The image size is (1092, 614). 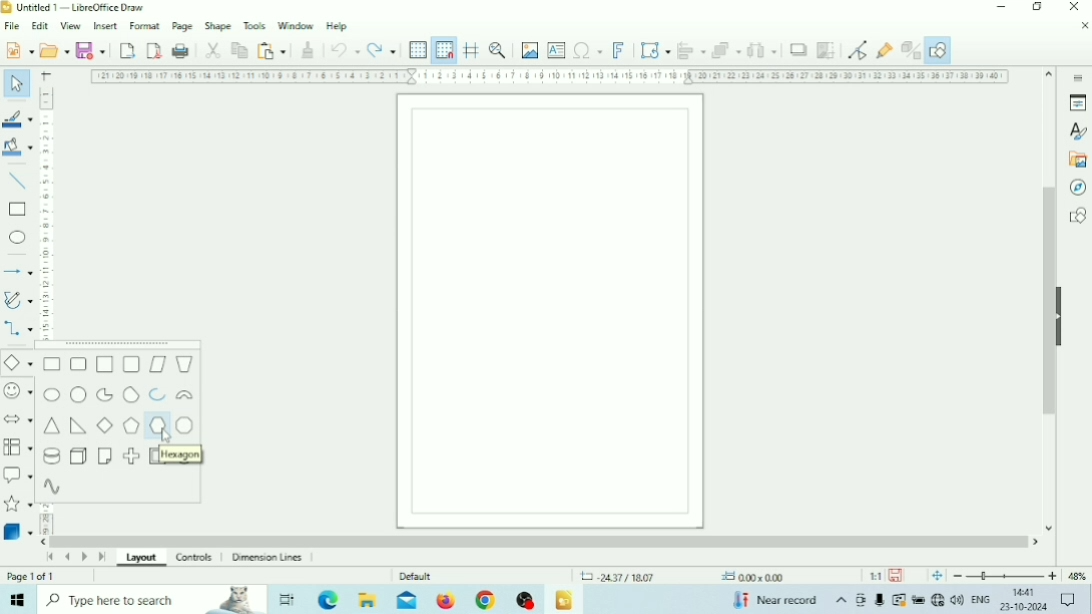 I want to click on Basic Shapes, so click(x=18, y=363).